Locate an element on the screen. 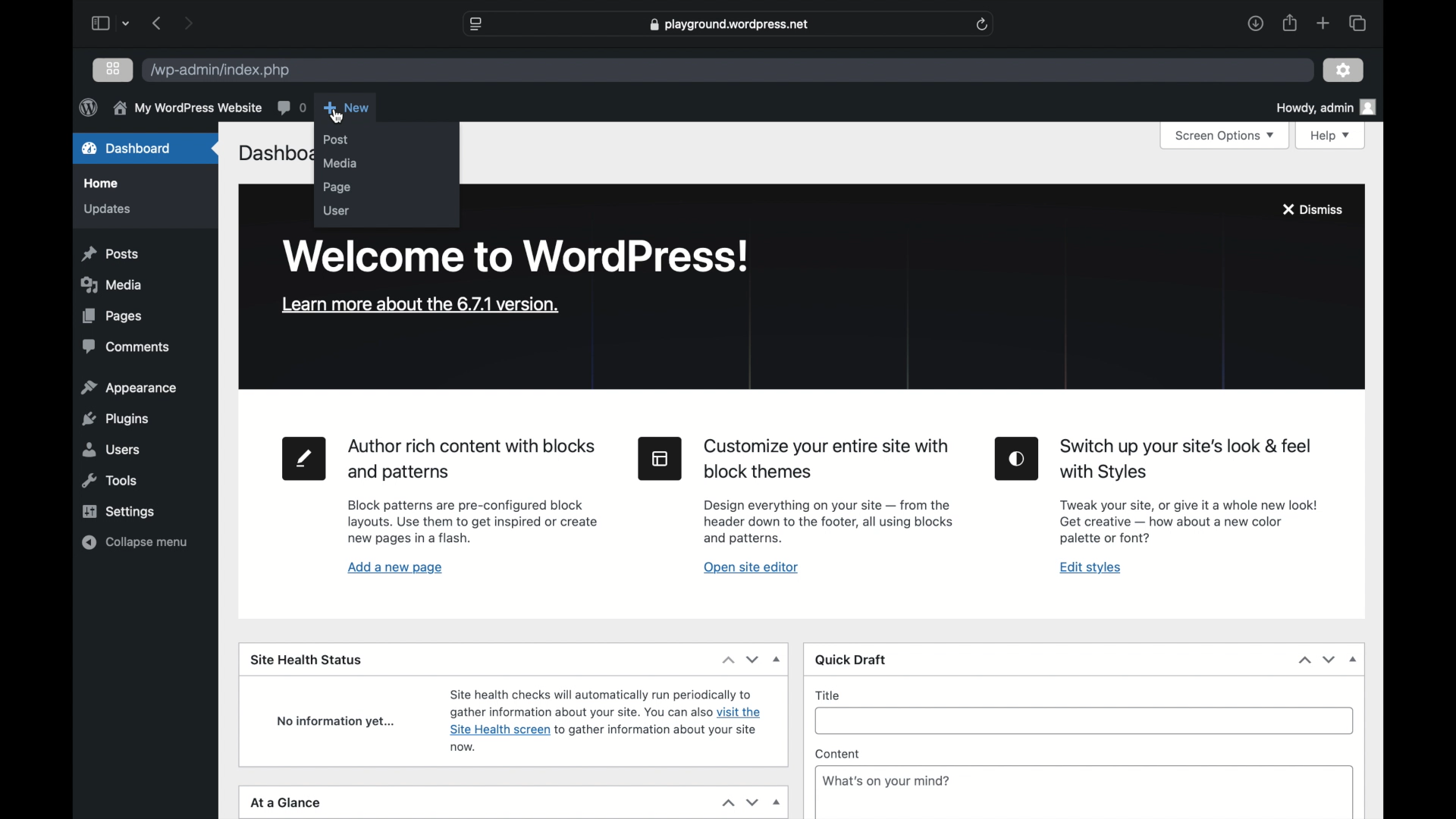  user is located at coordinates (337, 211).